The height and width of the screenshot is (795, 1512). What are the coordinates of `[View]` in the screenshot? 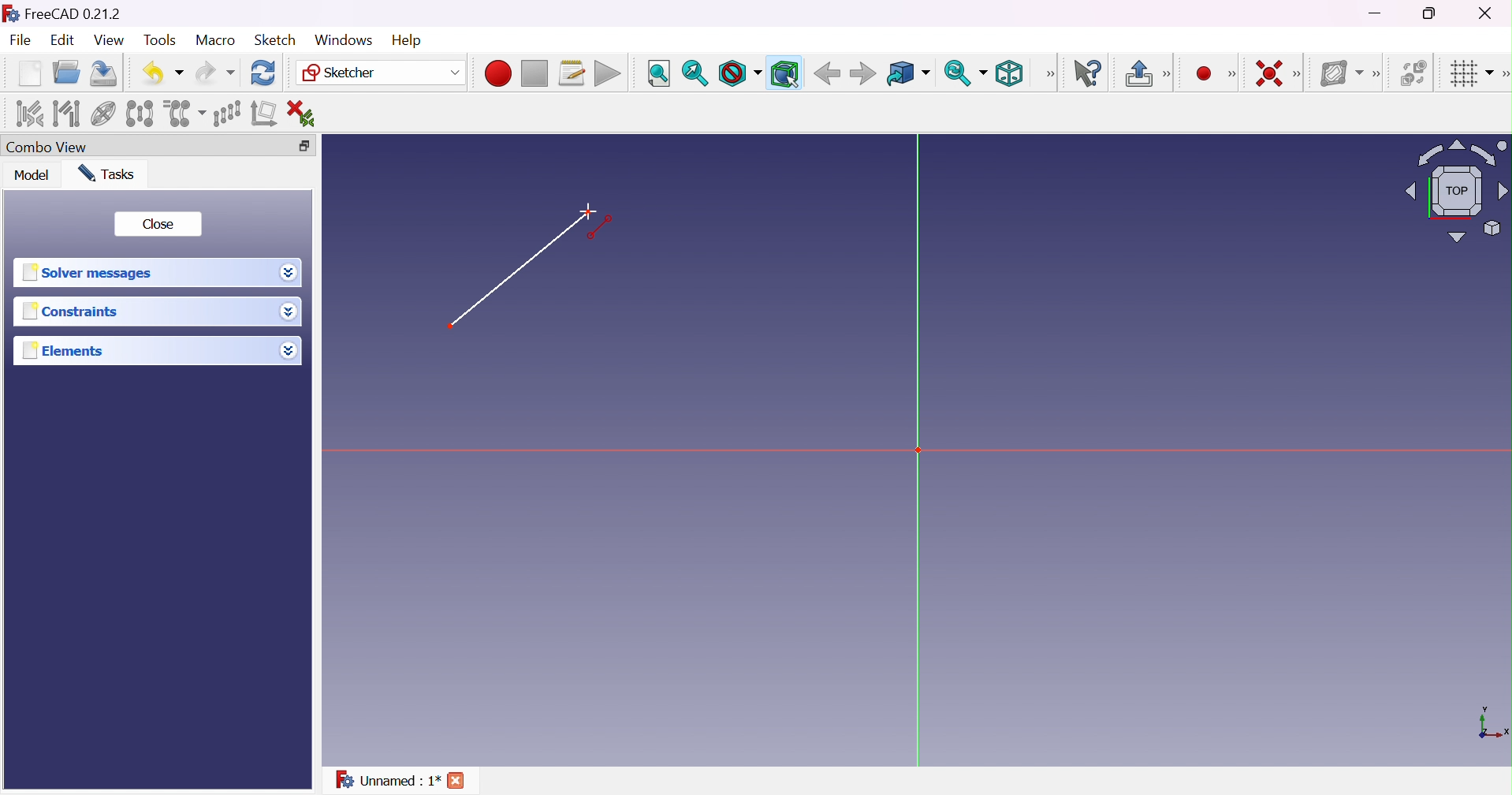 It's located at (1050, 73).